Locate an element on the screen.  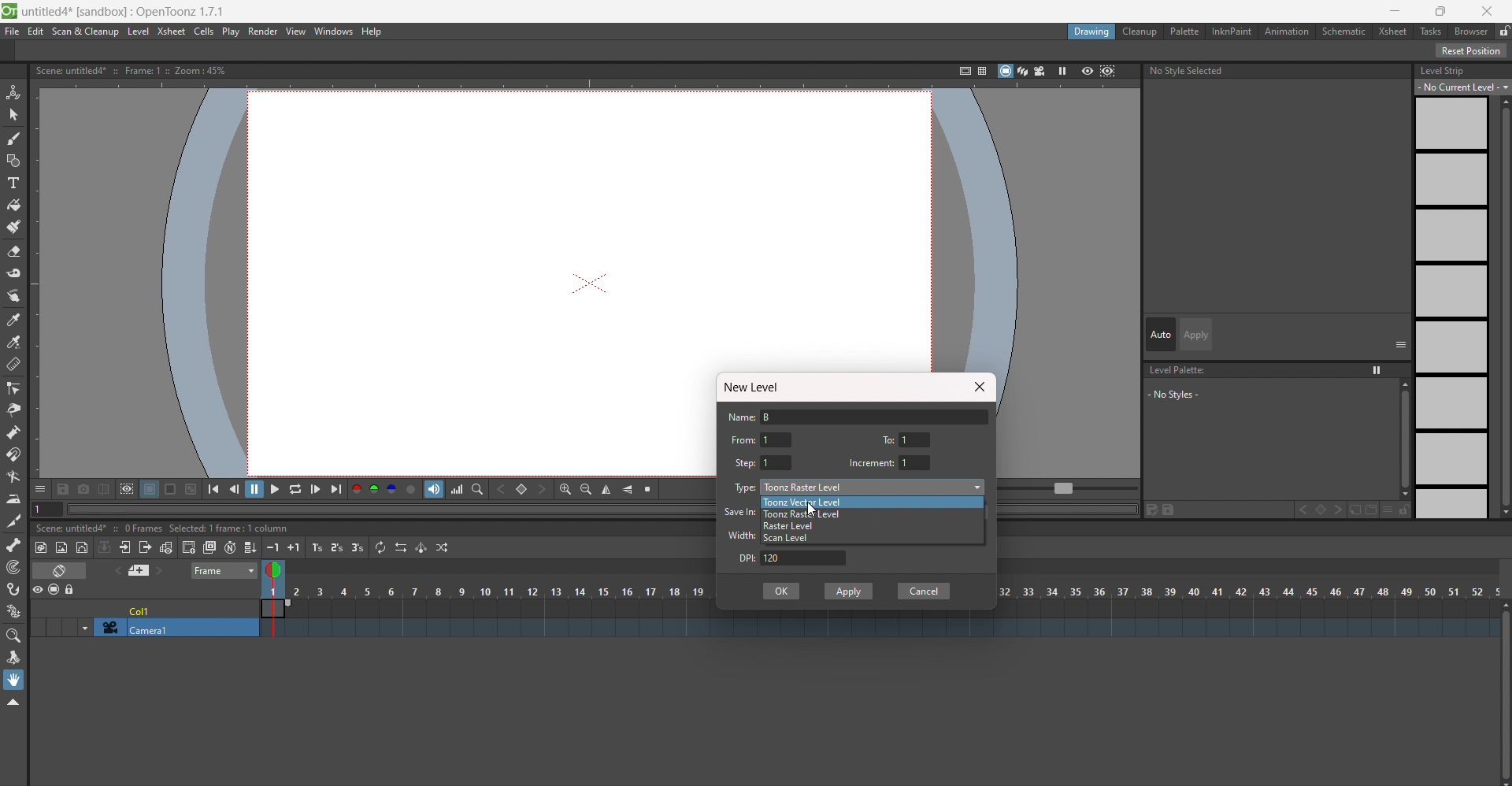
xsheet is located at coordinates (1390, 30).